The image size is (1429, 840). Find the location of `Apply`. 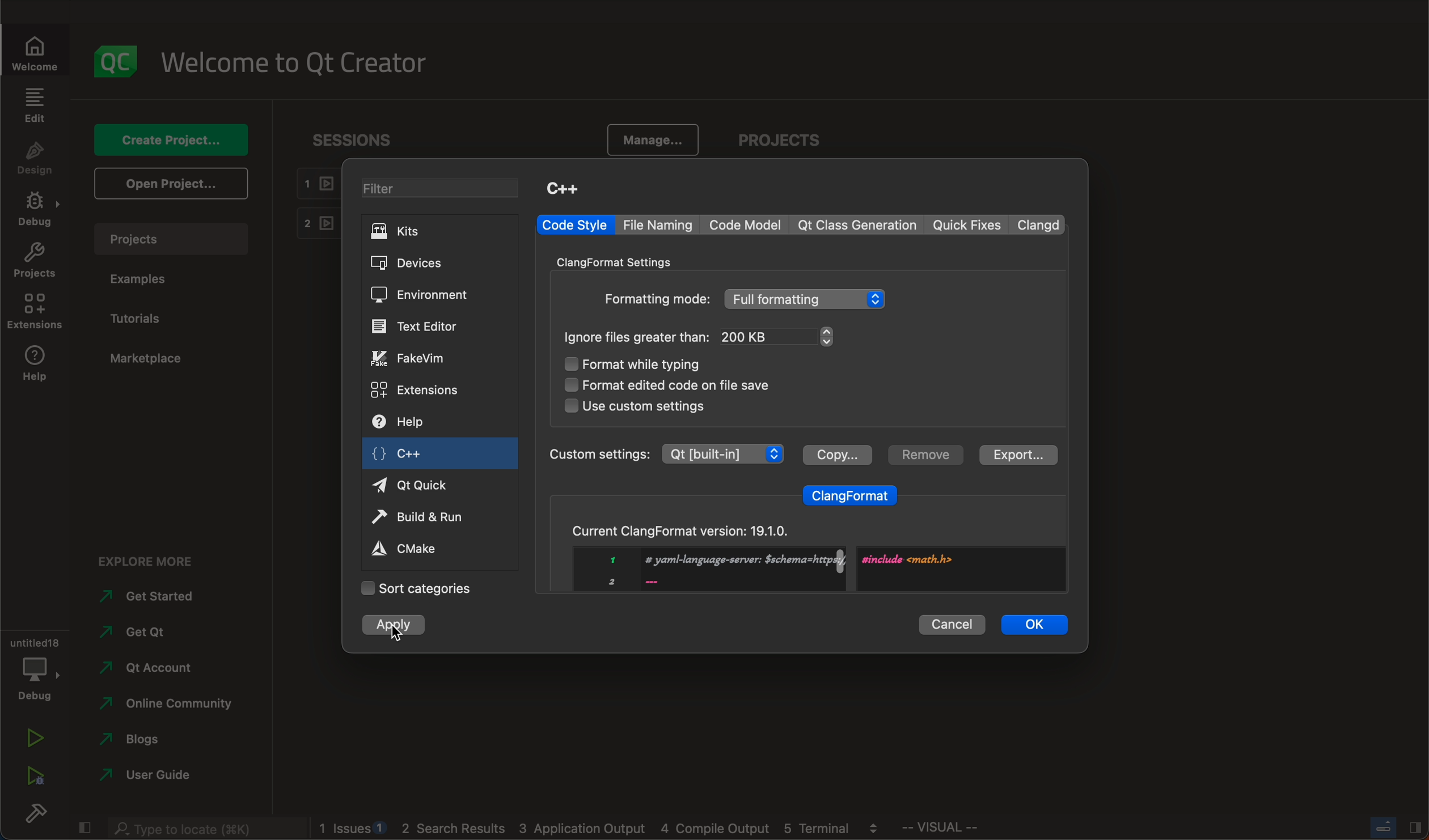

Apply is located at coordinates (394, 629).